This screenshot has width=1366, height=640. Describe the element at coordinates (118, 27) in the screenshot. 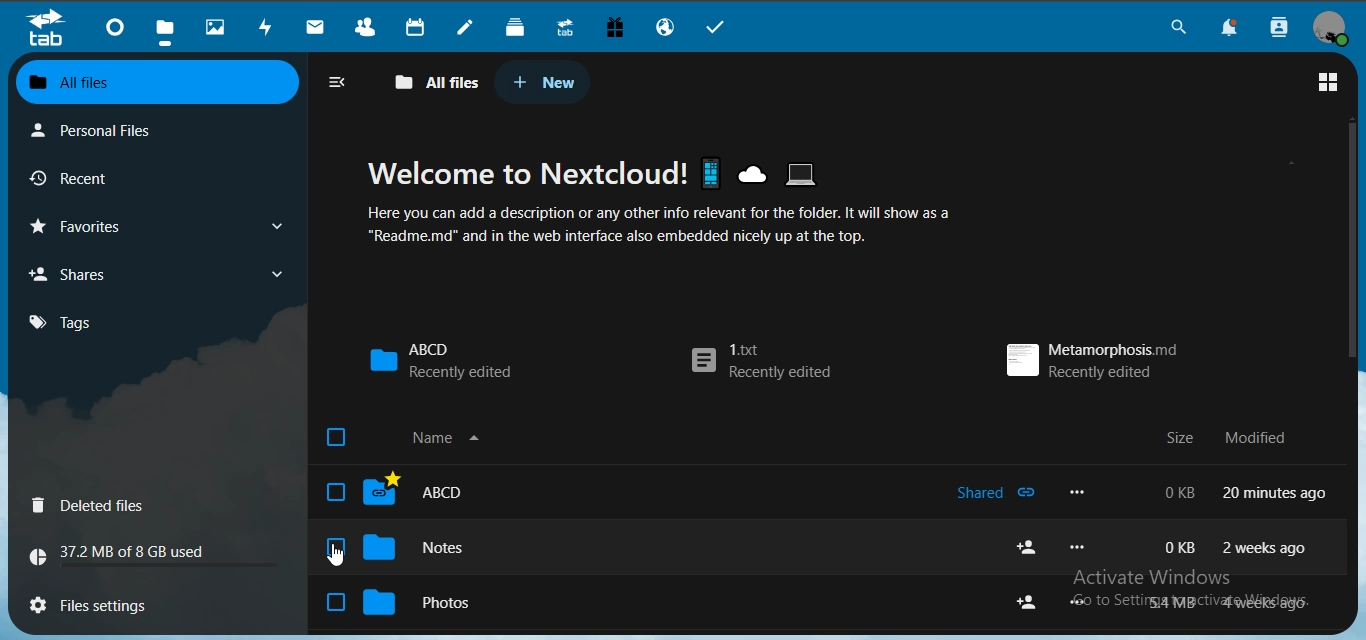

I see `dashboard` at that location.